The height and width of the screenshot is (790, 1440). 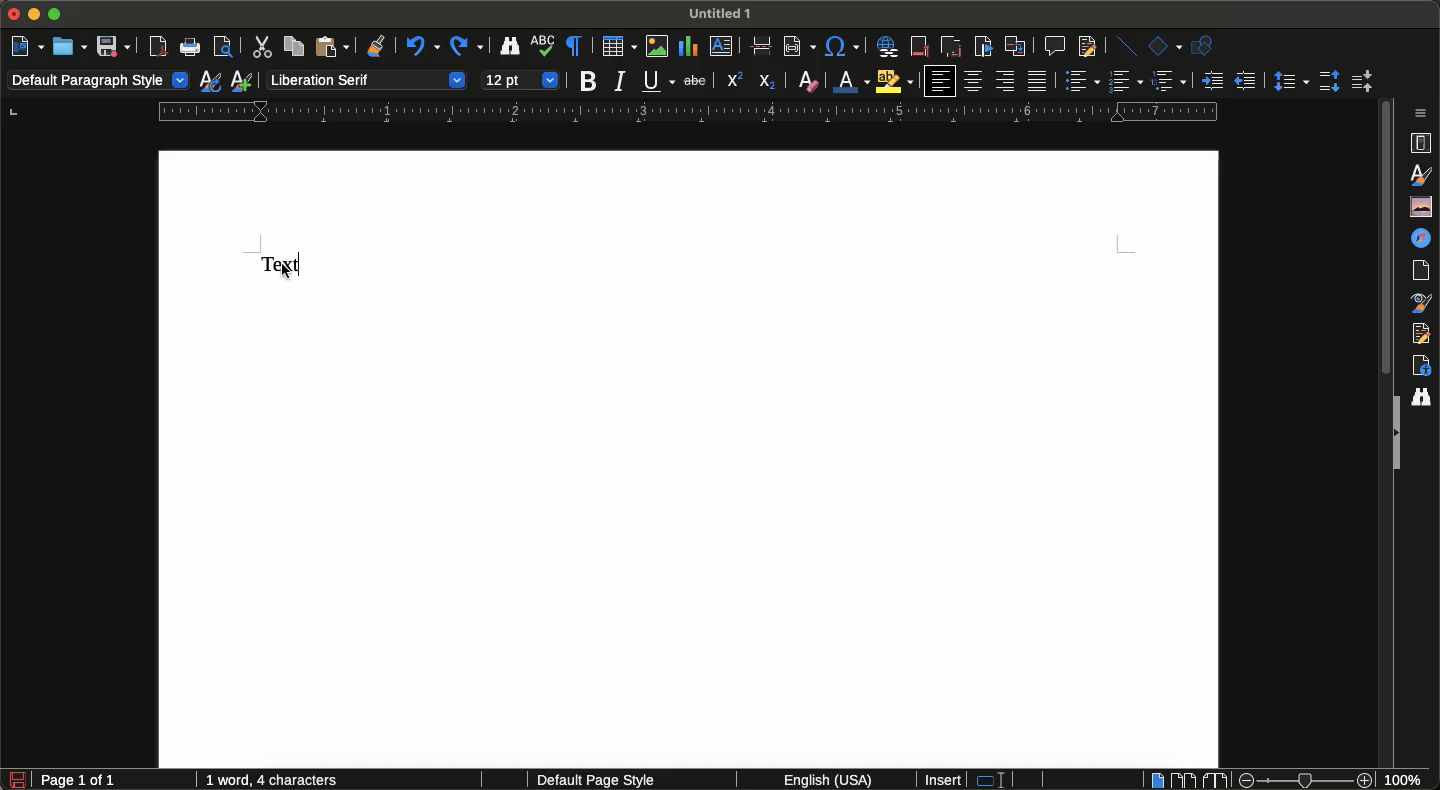 I want to click on Insert footnote, so click(x=920, y=48).